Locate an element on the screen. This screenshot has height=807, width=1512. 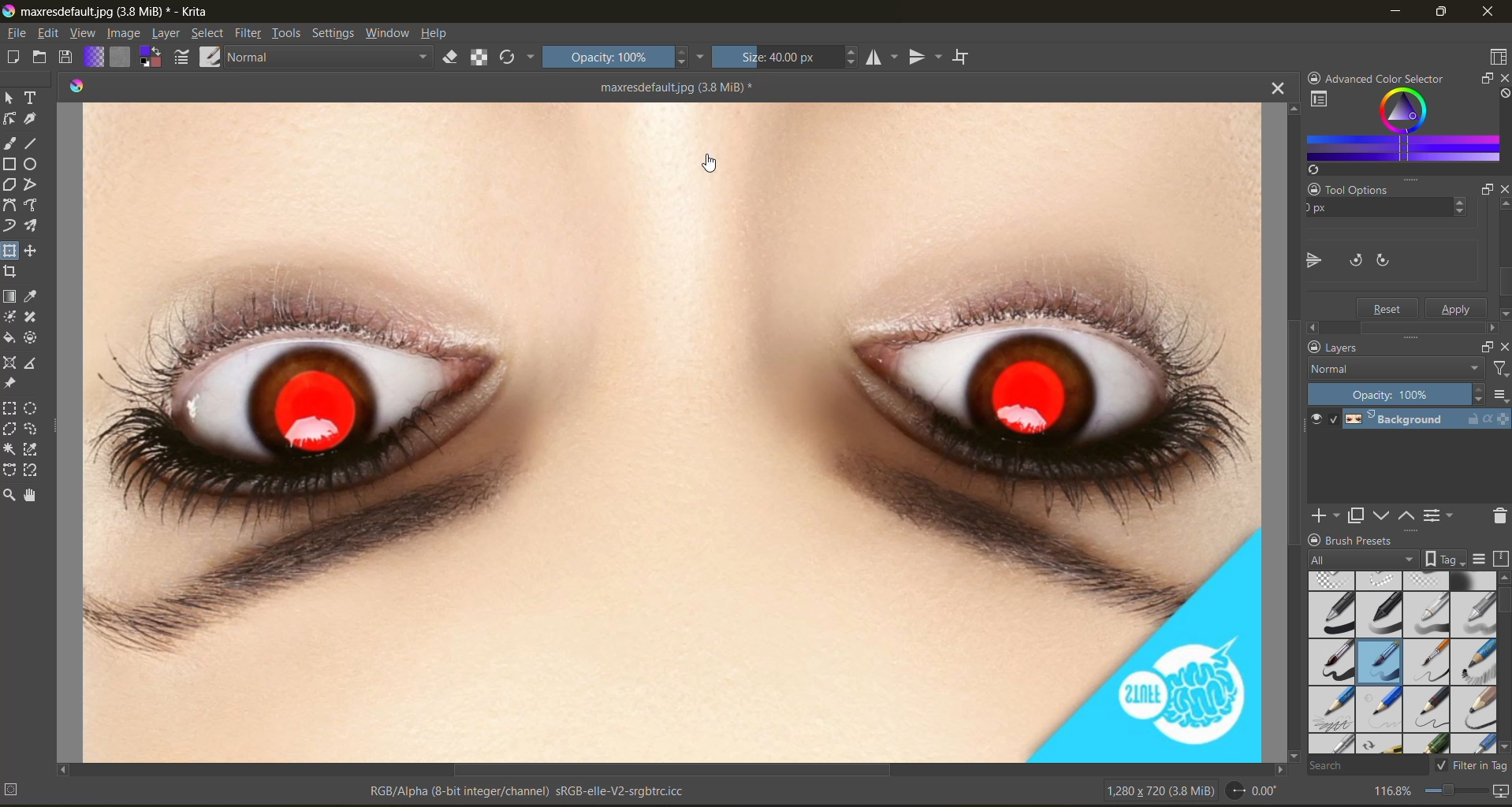
fill gradients is located at coordinates (99, 57).